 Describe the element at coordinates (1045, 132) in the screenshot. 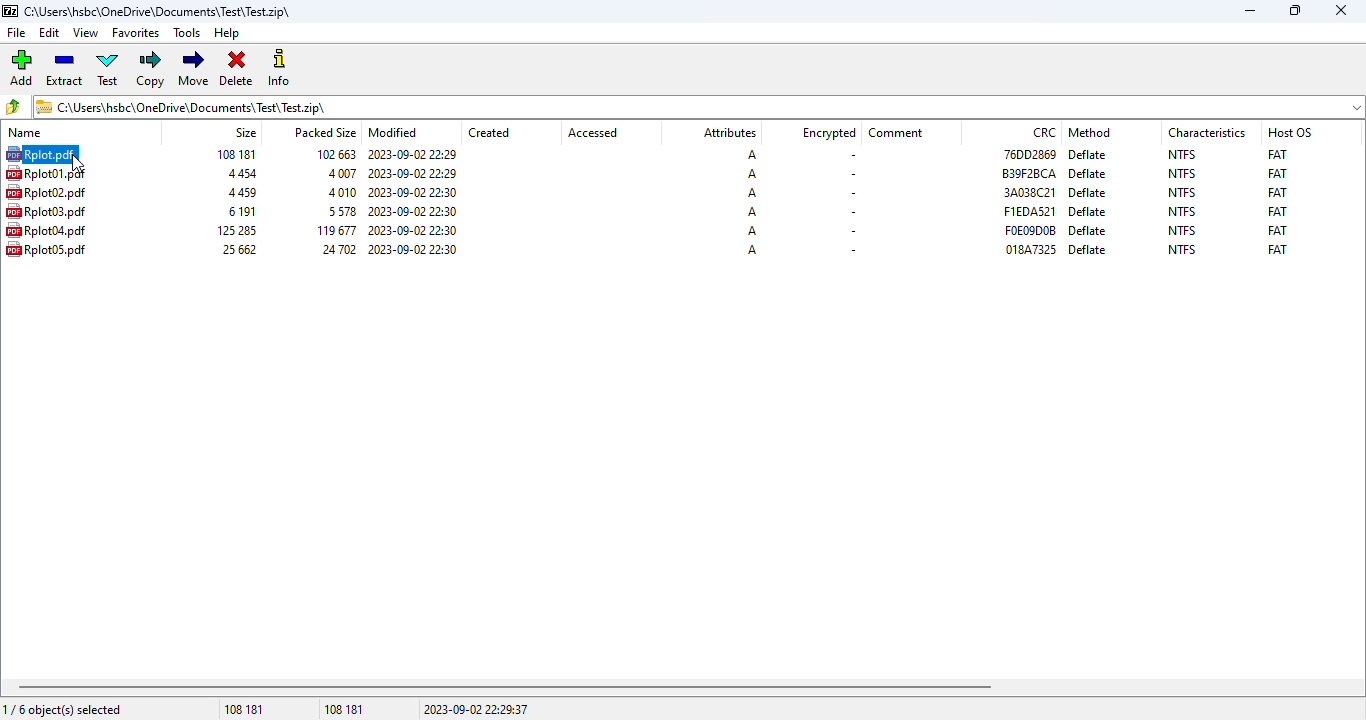

I see `CRC` at that location.